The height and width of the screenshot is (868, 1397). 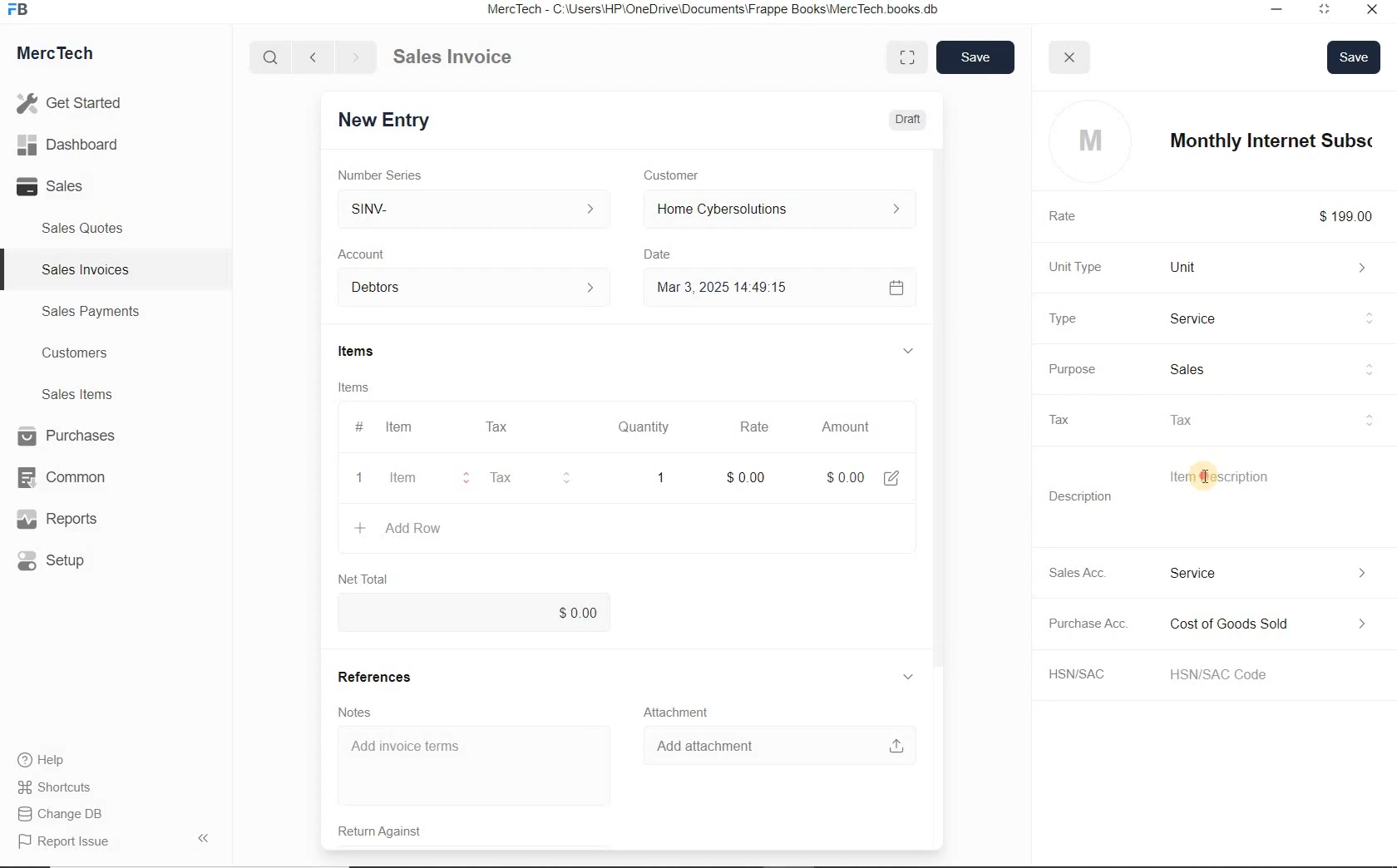 What do you see at coordinates (1267, 367) in the screenshot?
I see `sales` at bounding box center [1267, 367].